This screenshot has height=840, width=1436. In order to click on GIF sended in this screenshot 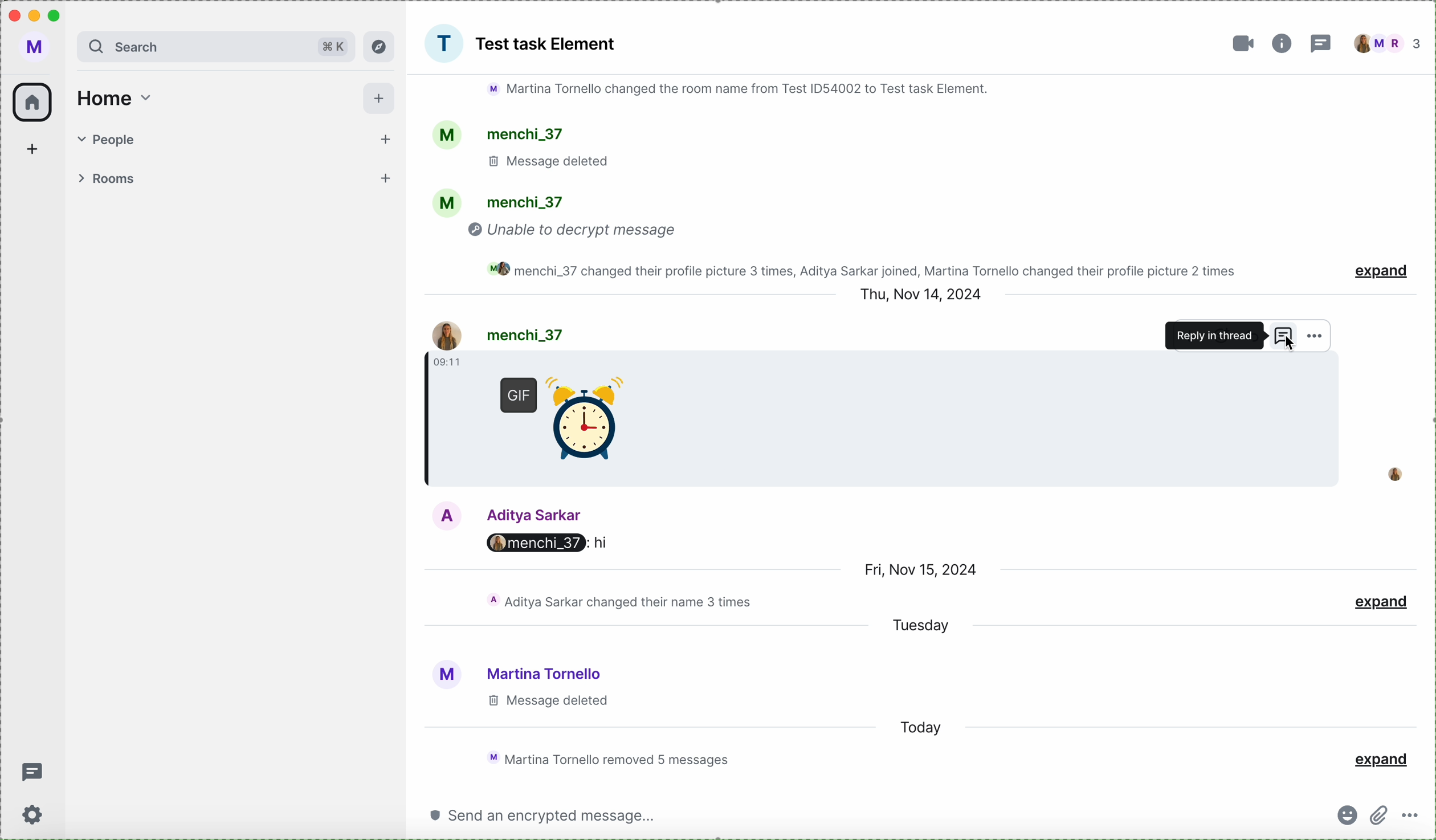, I will do `click(572, 425)`.